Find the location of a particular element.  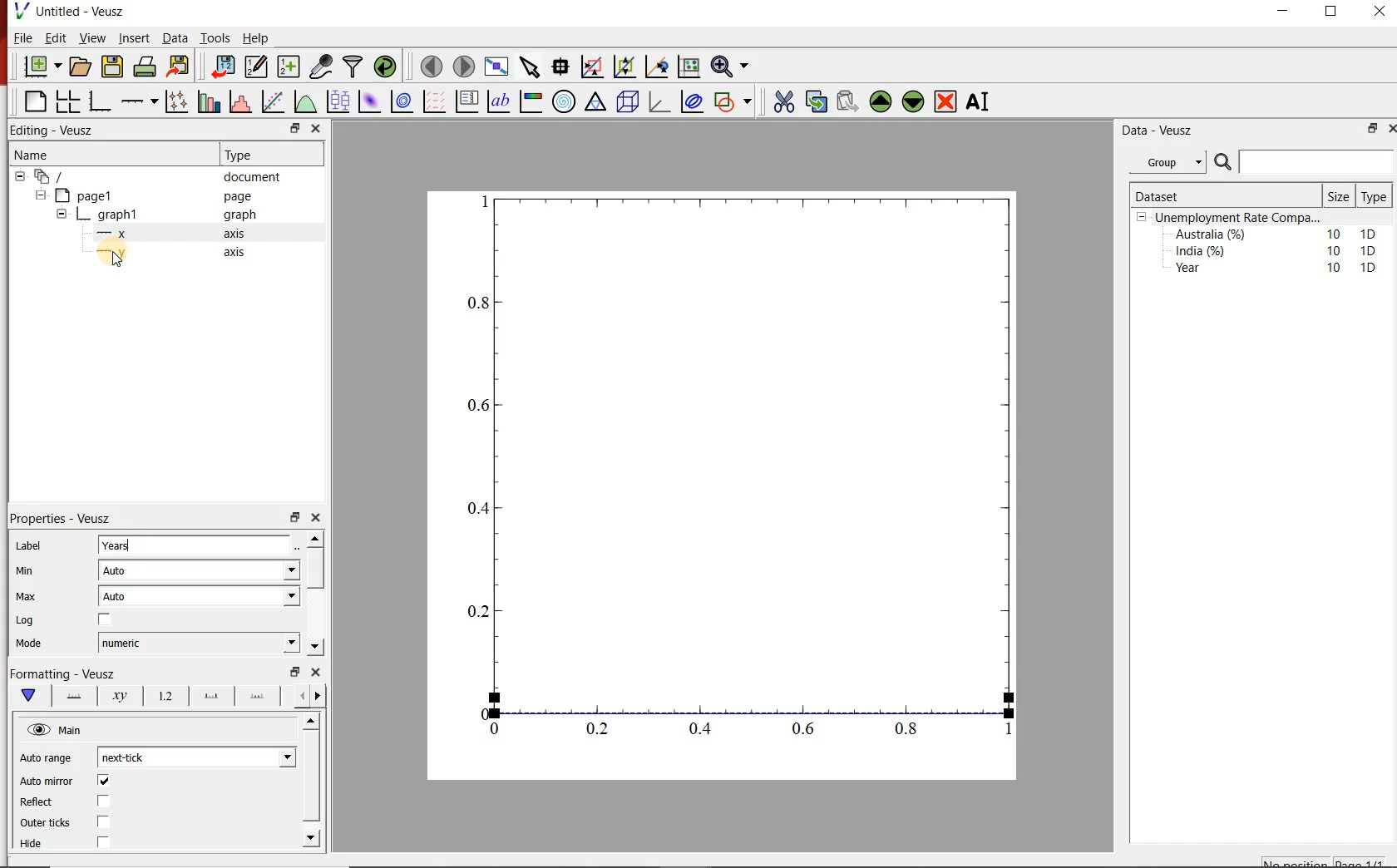

print document is located at coordinates (145, 65).